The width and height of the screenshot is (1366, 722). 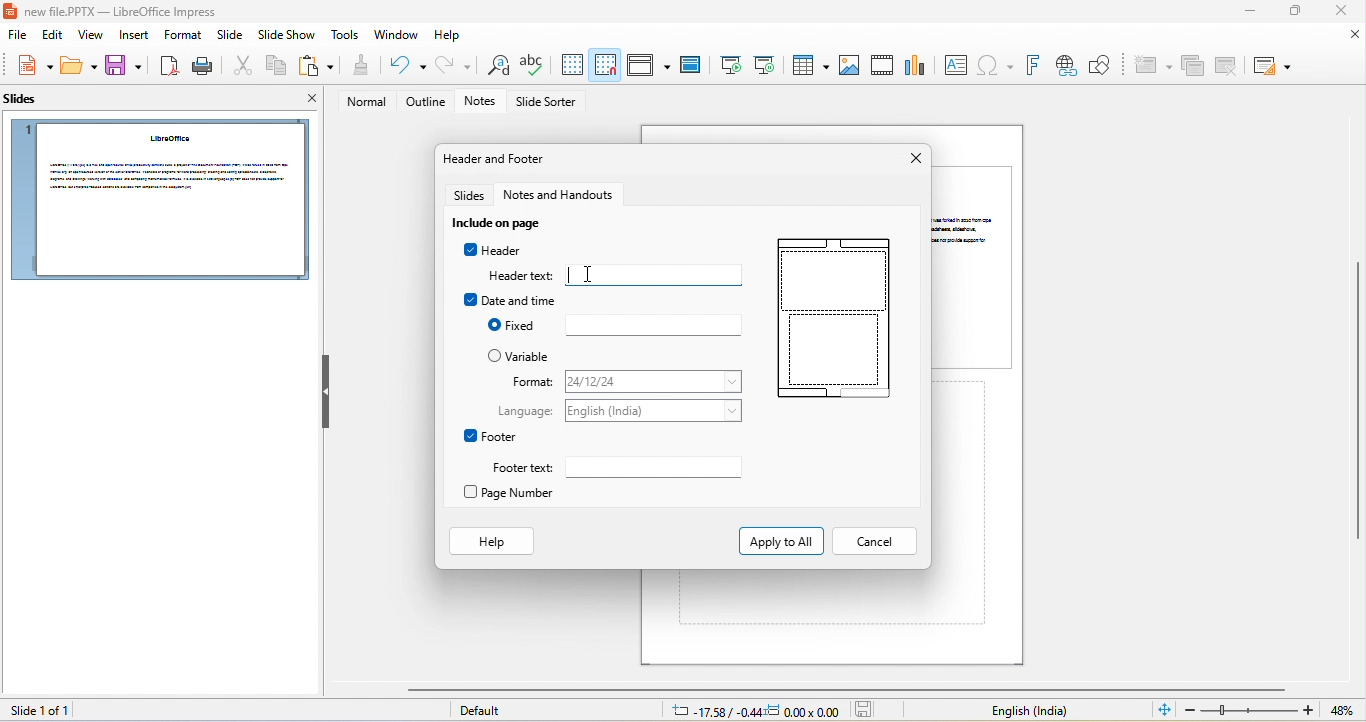 What do you see at coordinates (648, 65) in the screenshot?
I see `display view` at bounding box center [648, 65].